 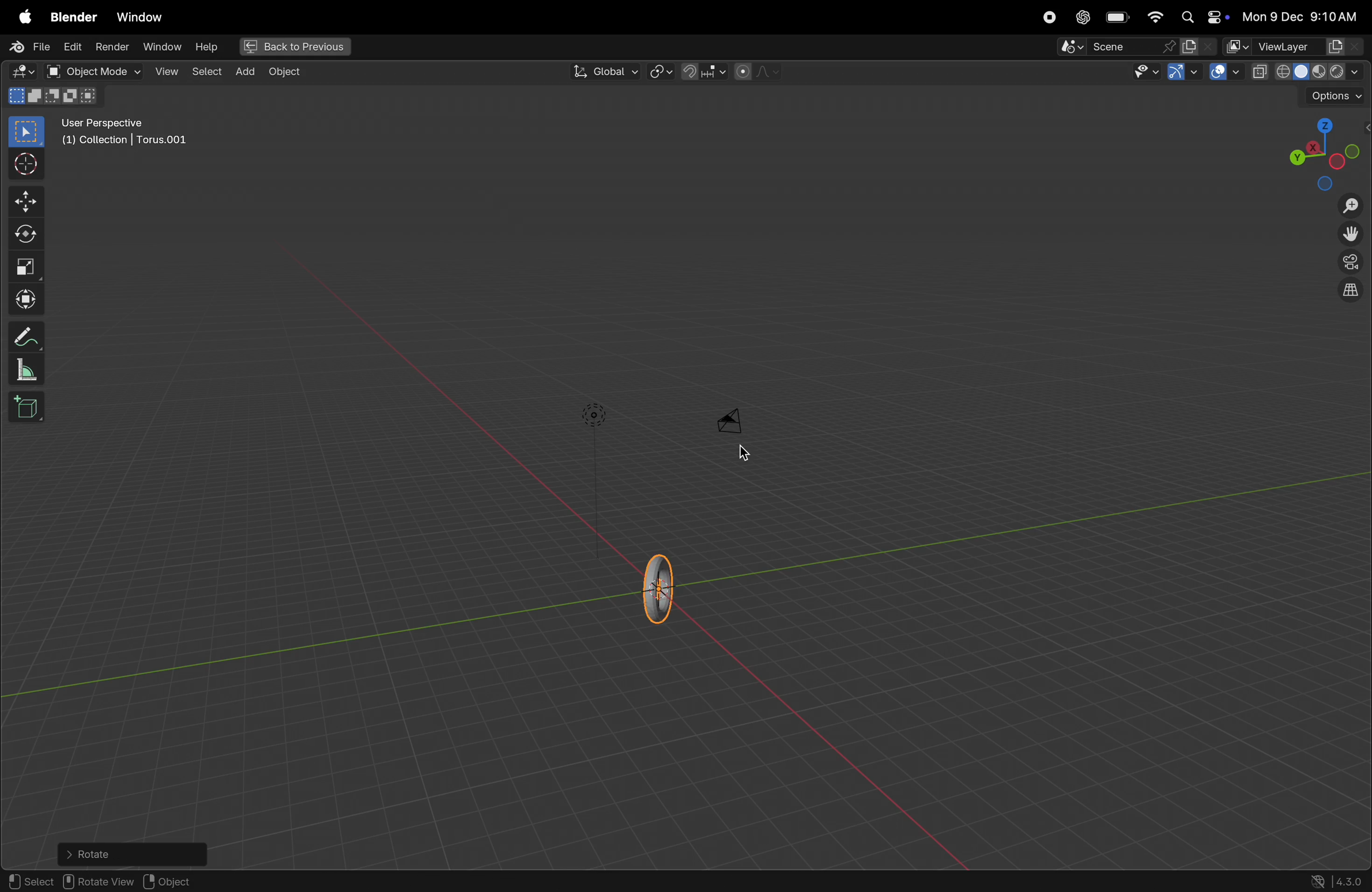 What do you see at coordinates (661, 71) in the screenshot?
I see `ransformpviot point` at bounding box center [661, 71].